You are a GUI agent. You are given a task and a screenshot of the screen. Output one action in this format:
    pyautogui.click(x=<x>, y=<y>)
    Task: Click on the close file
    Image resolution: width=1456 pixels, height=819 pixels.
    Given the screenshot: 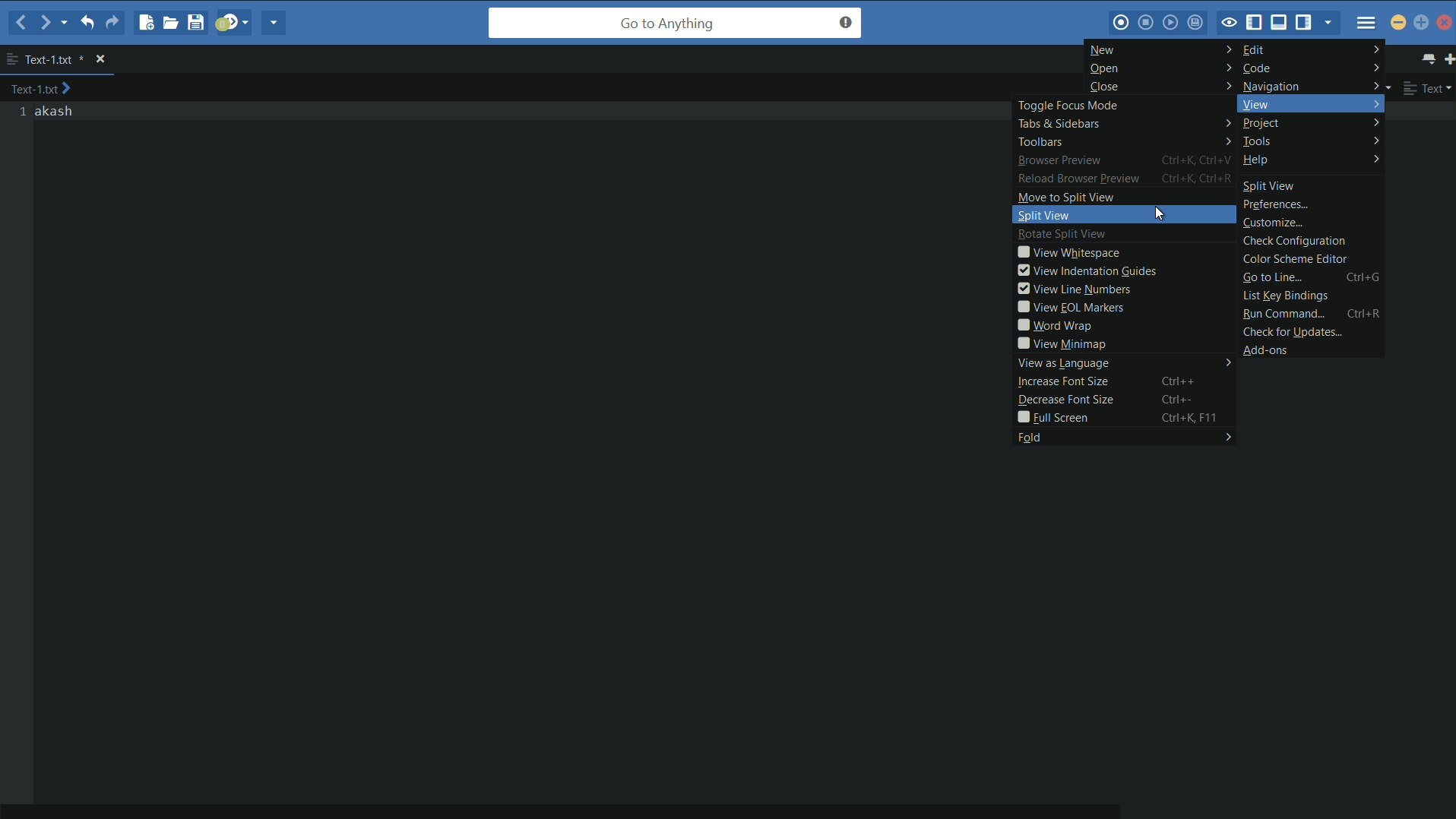 What is the action you would take?
    pyautogui.click(x=100, y=59)
    